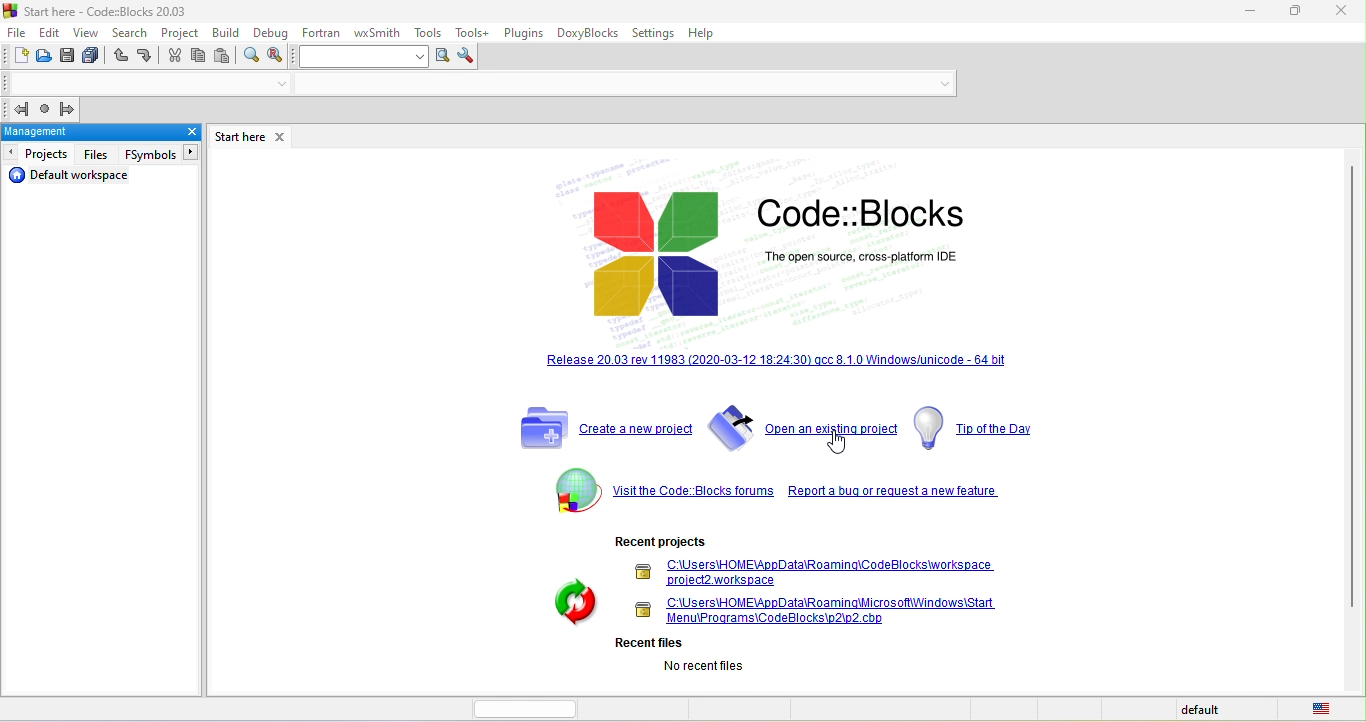 The width and height of the screenshot is (1366, 722). Describe the element at coordinates (599, 429) in the screenshot. I see `create a new project` at that location.